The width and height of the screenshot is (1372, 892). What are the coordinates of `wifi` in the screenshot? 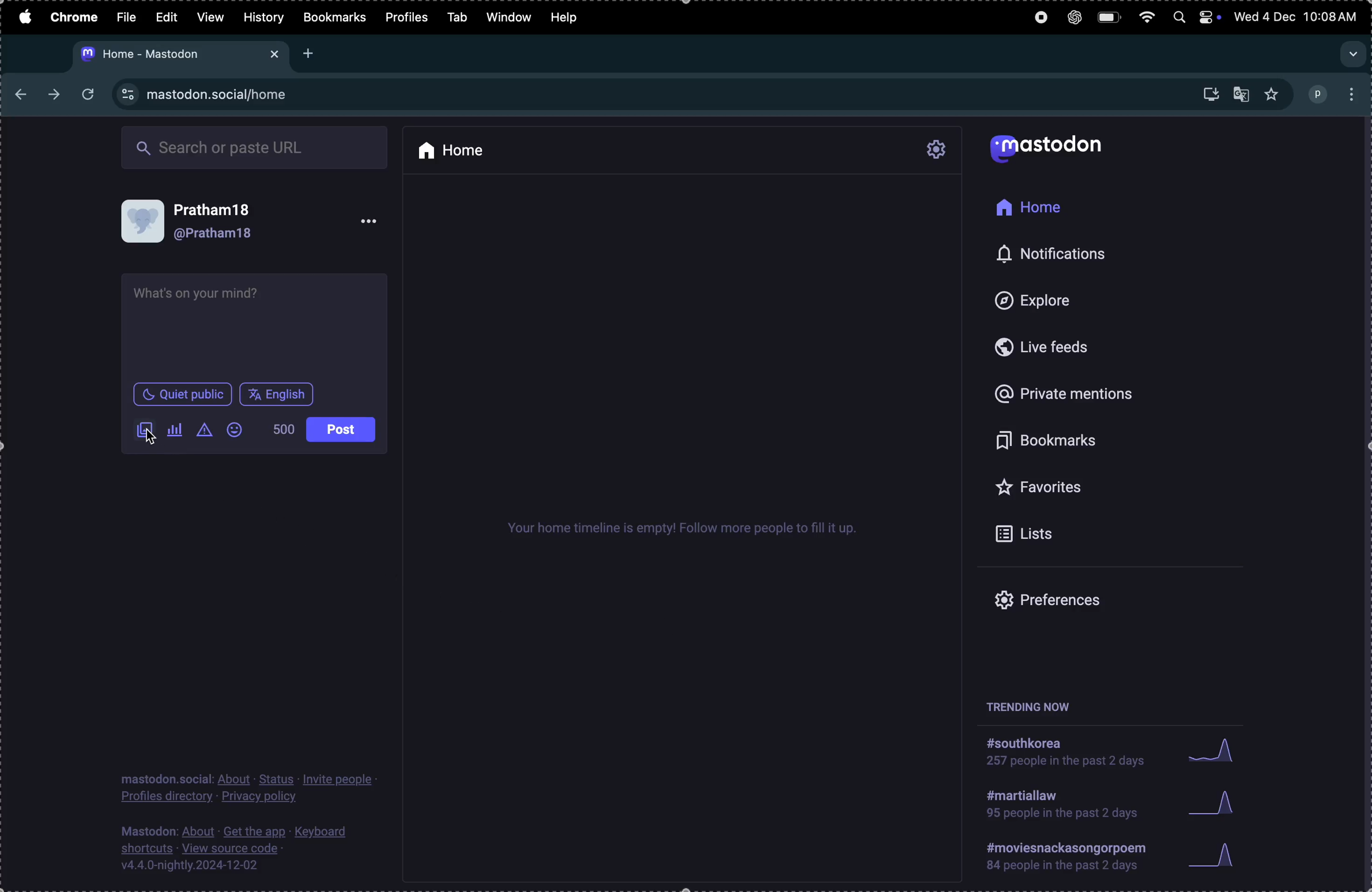 It's located at (1145, 17).